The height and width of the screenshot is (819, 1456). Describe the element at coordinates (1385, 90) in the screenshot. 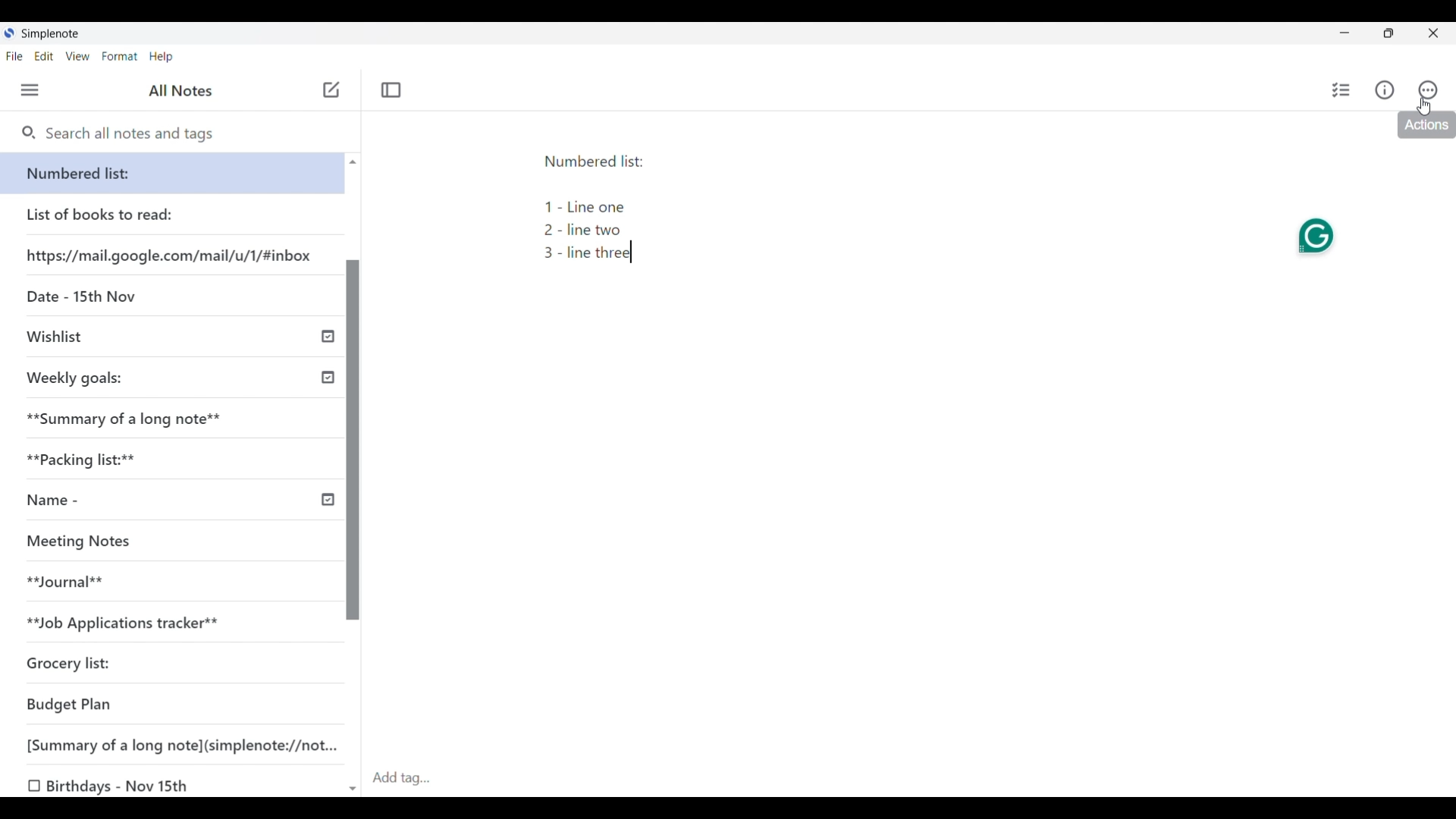

I see `Info` at that location.